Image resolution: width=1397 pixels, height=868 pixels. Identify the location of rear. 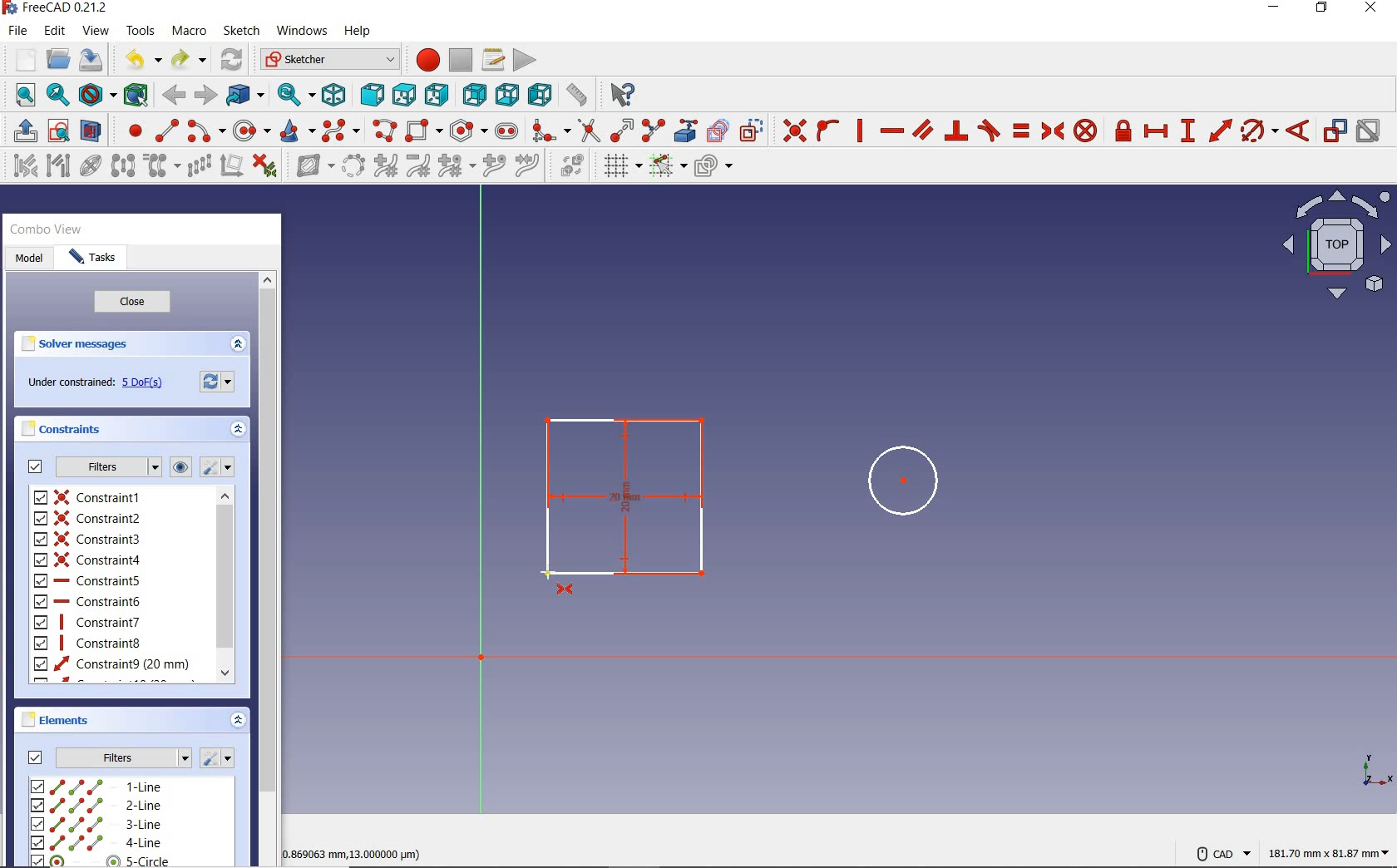
(473, 95).